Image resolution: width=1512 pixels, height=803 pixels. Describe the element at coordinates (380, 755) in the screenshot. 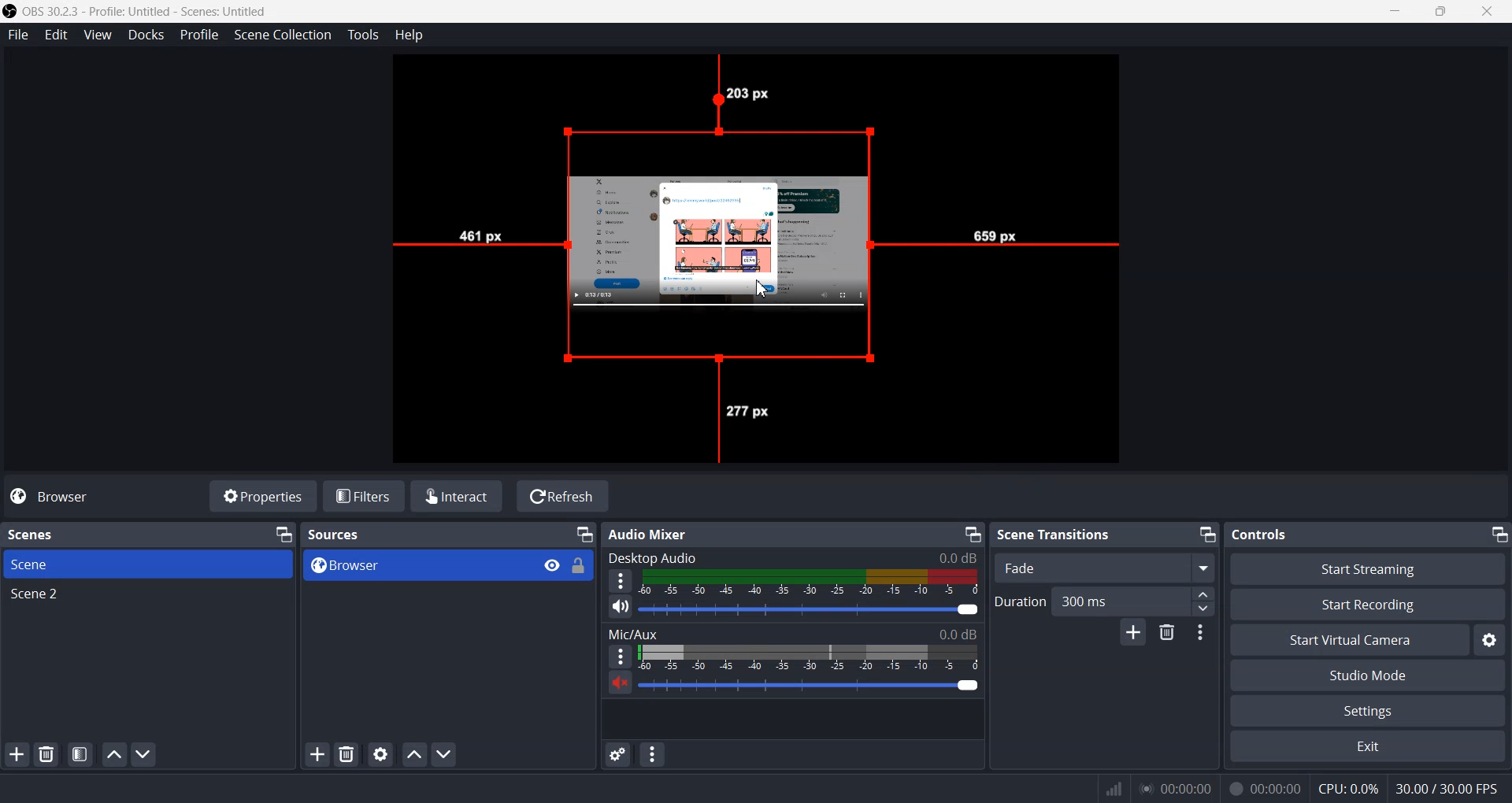

I see `Open sources properties` at that location.